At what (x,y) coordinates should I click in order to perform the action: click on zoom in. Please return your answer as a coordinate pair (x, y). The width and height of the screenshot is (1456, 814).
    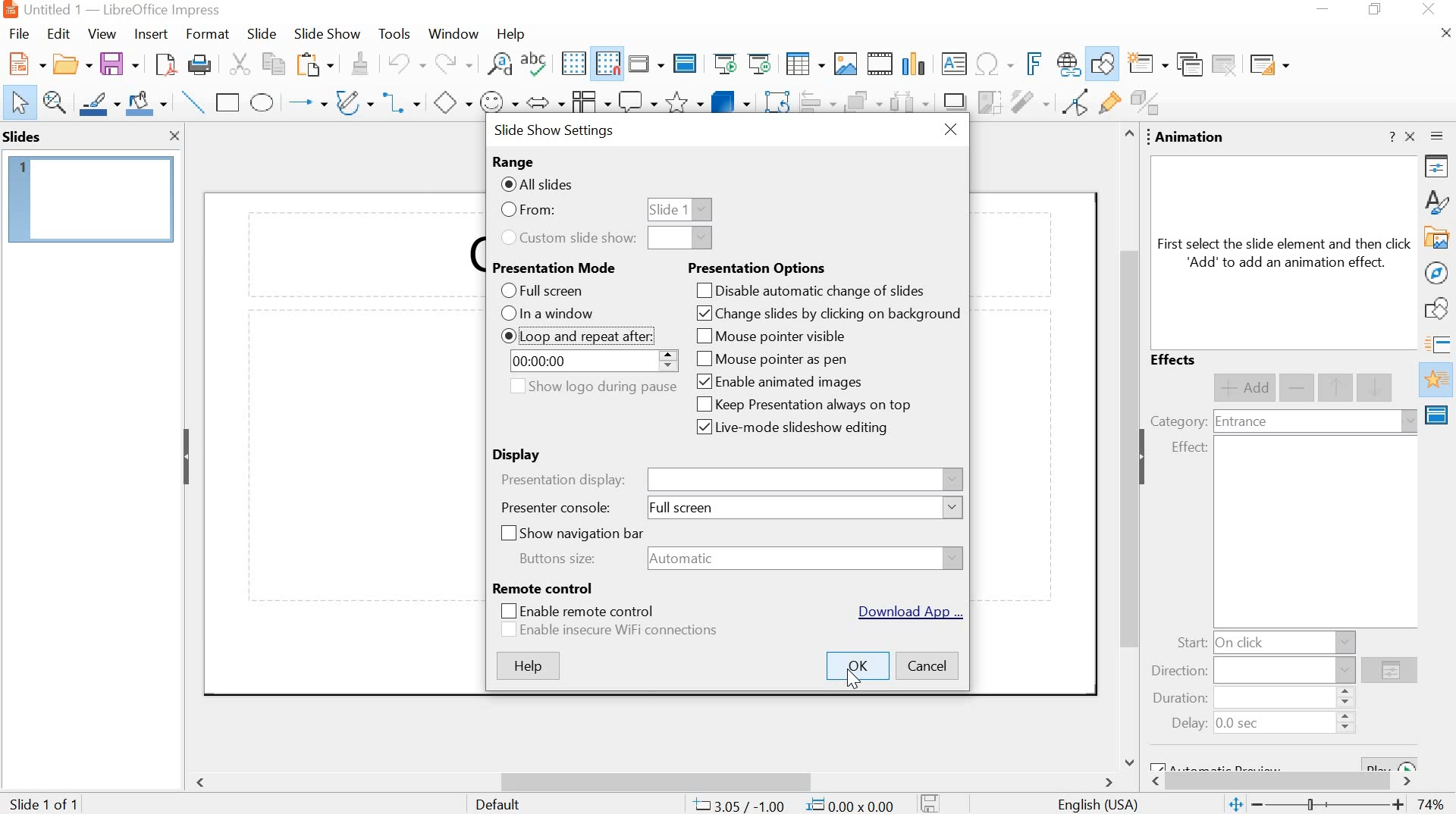
    Looking at the image, I should click on (1398, 806).